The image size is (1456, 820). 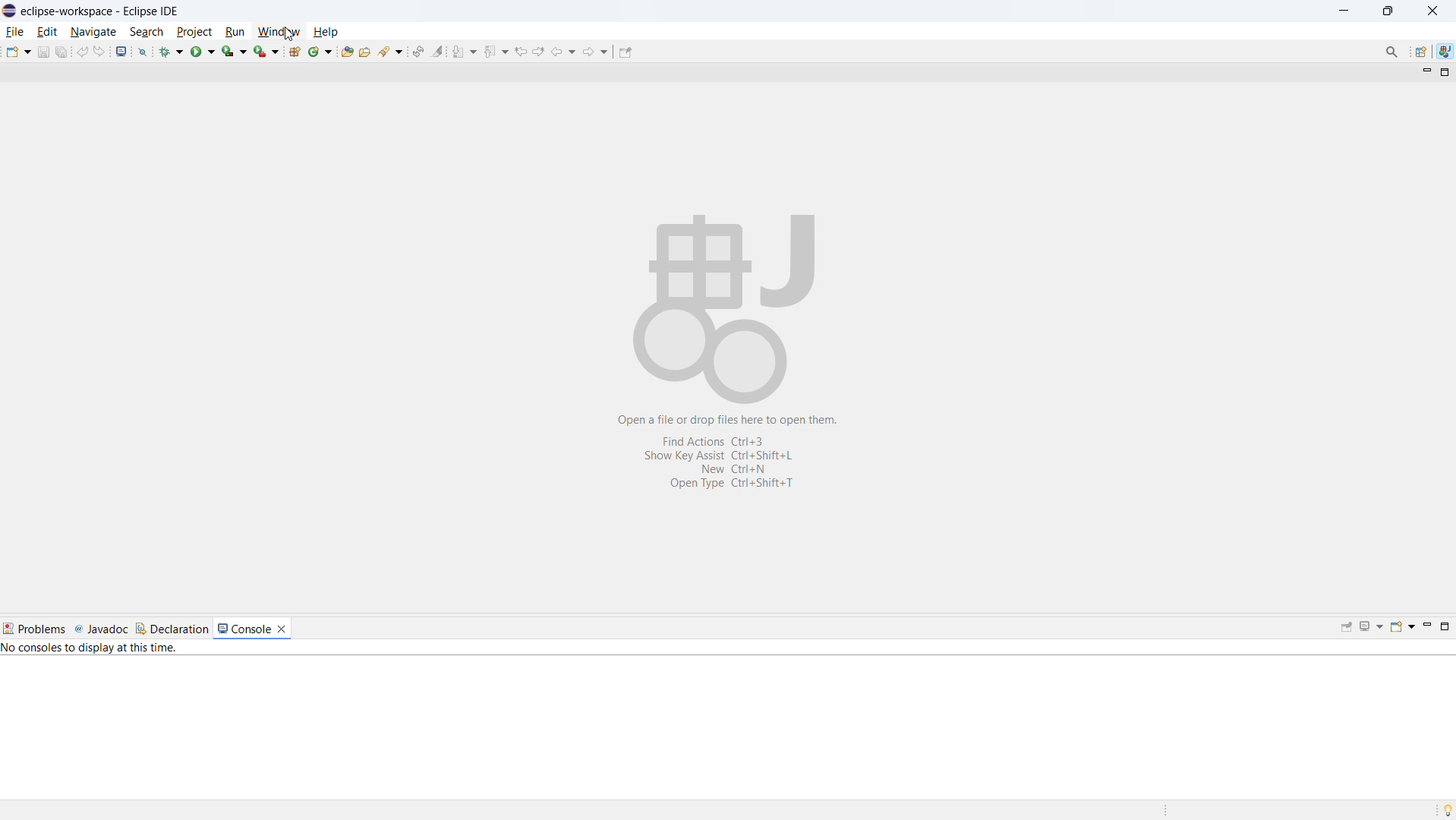 What do you see at coordinates (44, 52) in the screenshot?
I see `save` at bounding box center [44, 52].